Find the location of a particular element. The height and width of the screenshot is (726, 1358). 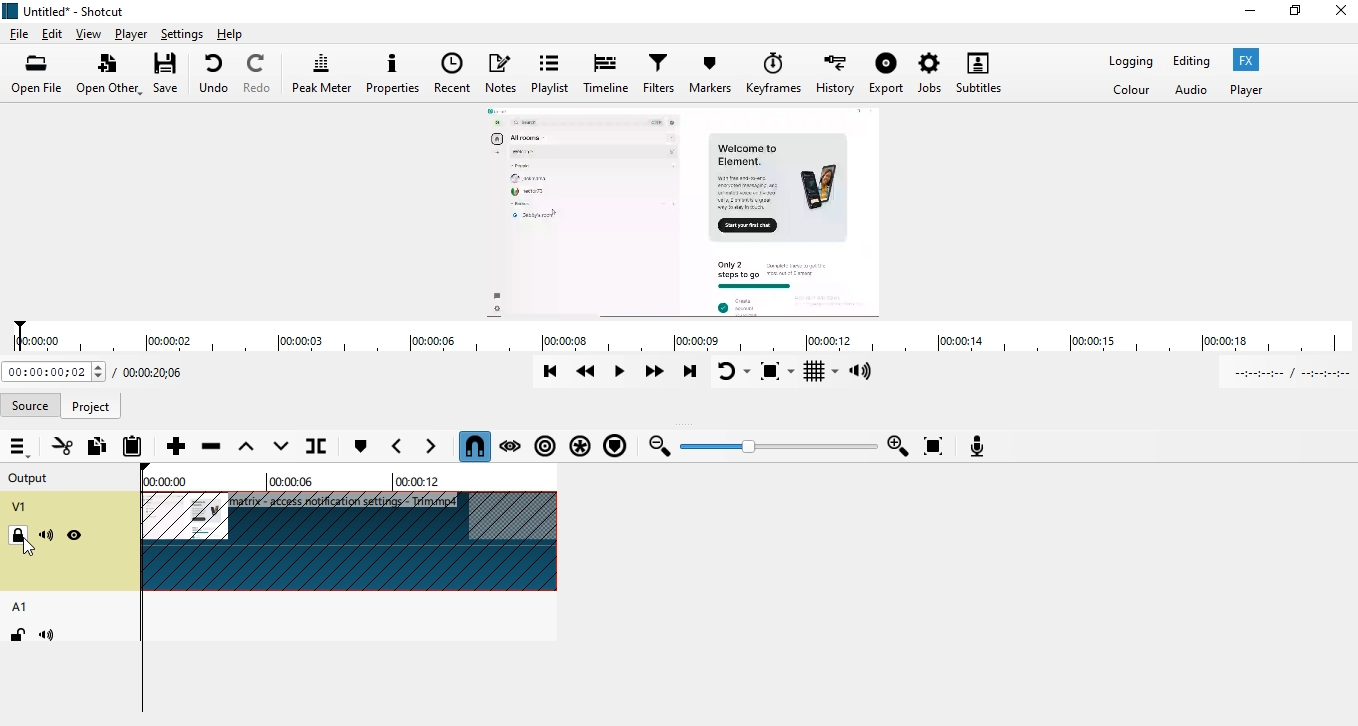

open other is located at coordinates (110, 74).